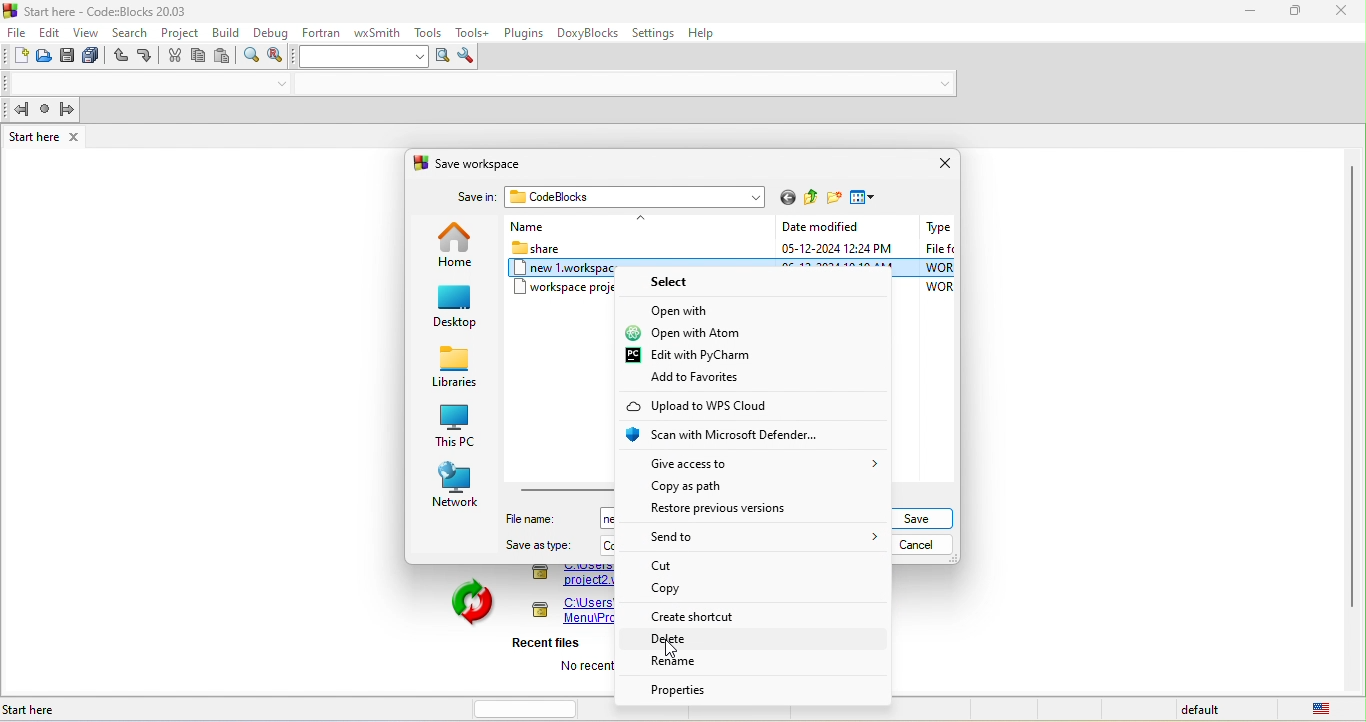 The height and width of the screenshot is (722, 1366). Describe the element at coordinates (456, 244) in the screenshot. I see `home` at that location.